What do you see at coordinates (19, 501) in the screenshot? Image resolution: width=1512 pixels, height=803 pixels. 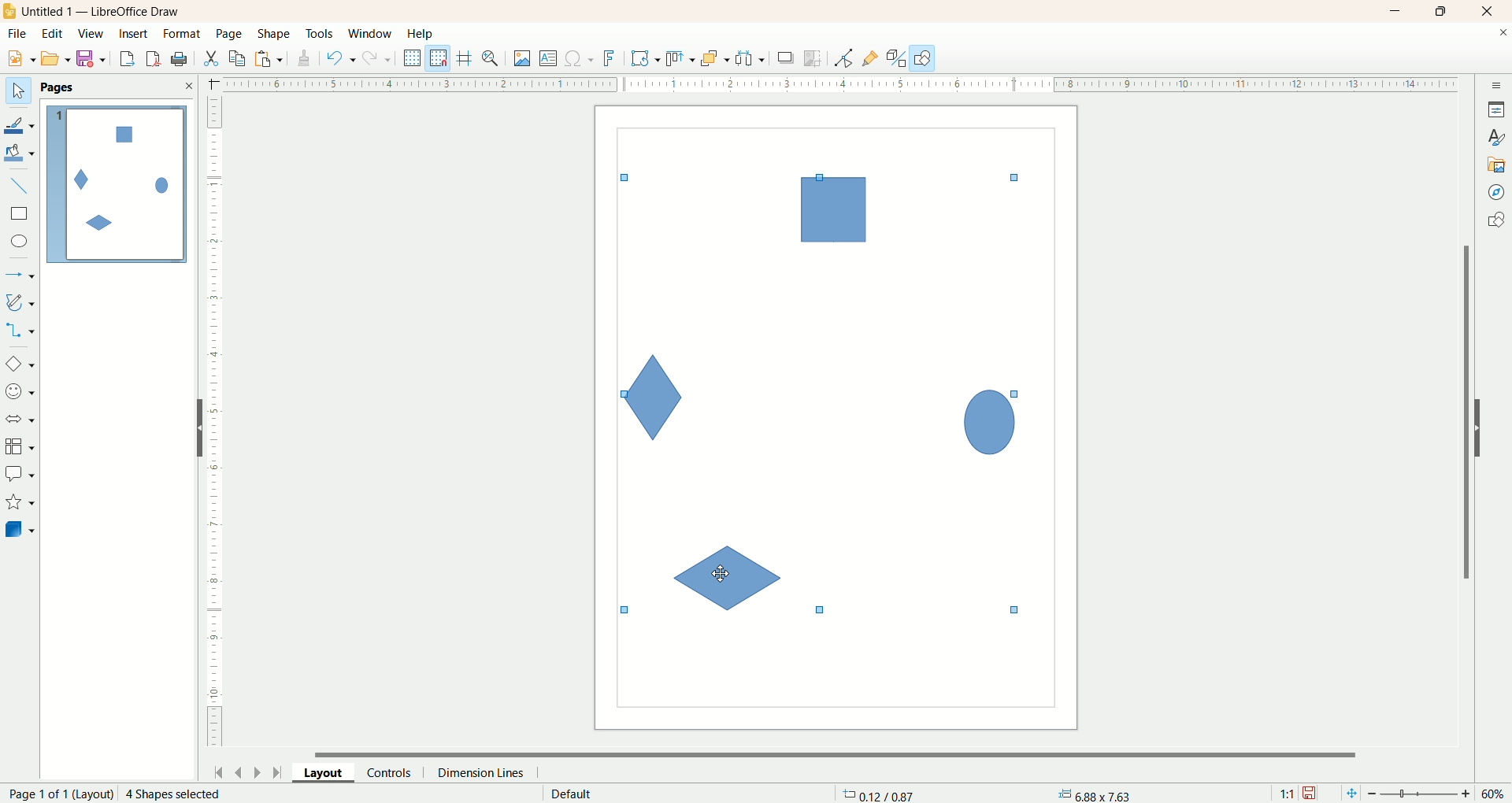 I see `stars and banners` at bounding box center [19, 501].